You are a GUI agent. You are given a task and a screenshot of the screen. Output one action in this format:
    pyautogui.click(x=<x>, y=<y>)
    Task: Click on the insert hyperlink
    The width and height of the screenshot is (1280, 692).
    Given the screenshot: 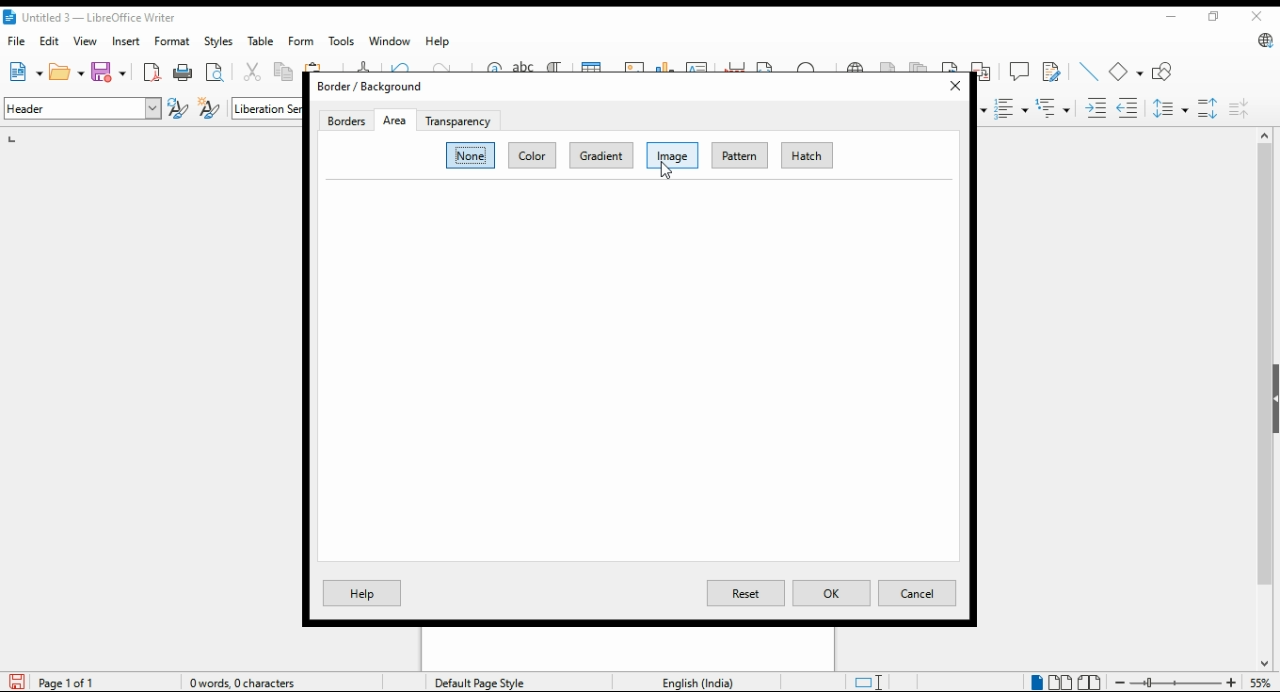 What is the action you would take?
    pyautogui.click(x=856, y=65)
    